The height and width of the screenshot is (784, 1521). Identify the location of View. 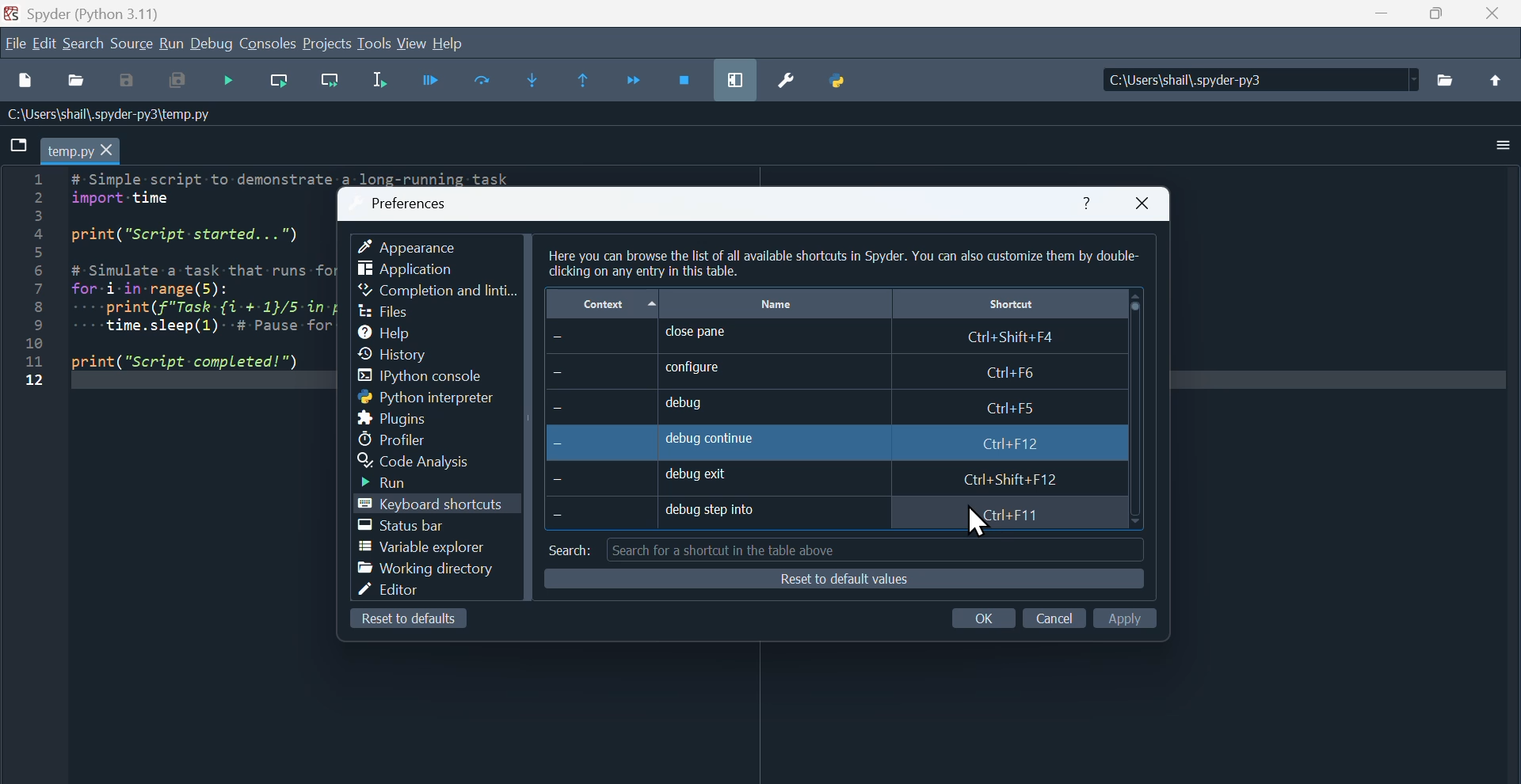
(414, 44).